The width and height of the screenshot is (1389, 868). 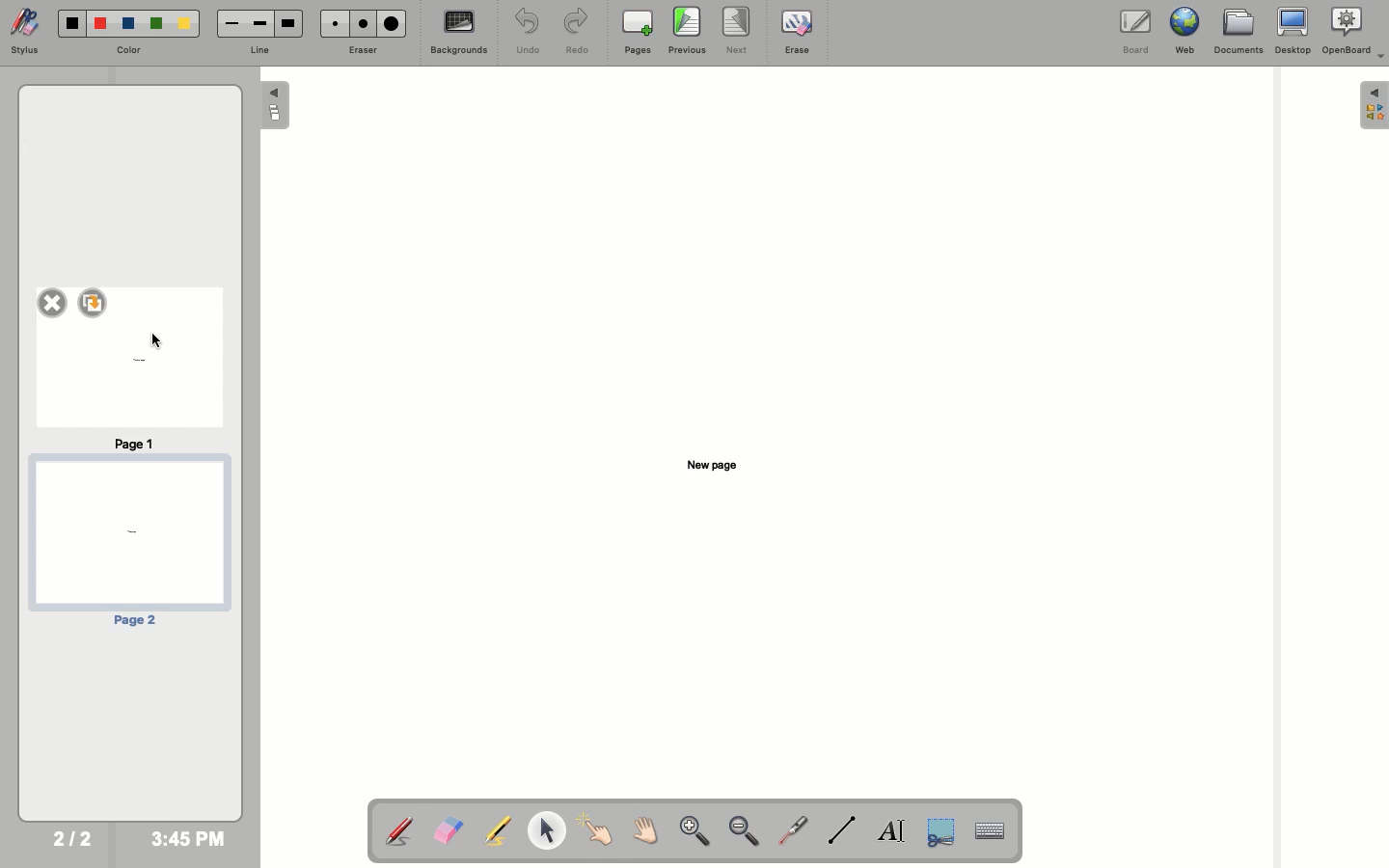 What do you see at coordinates (71, 838) in the screenshot?
I see `2/2` at bounding box center [71, 838].